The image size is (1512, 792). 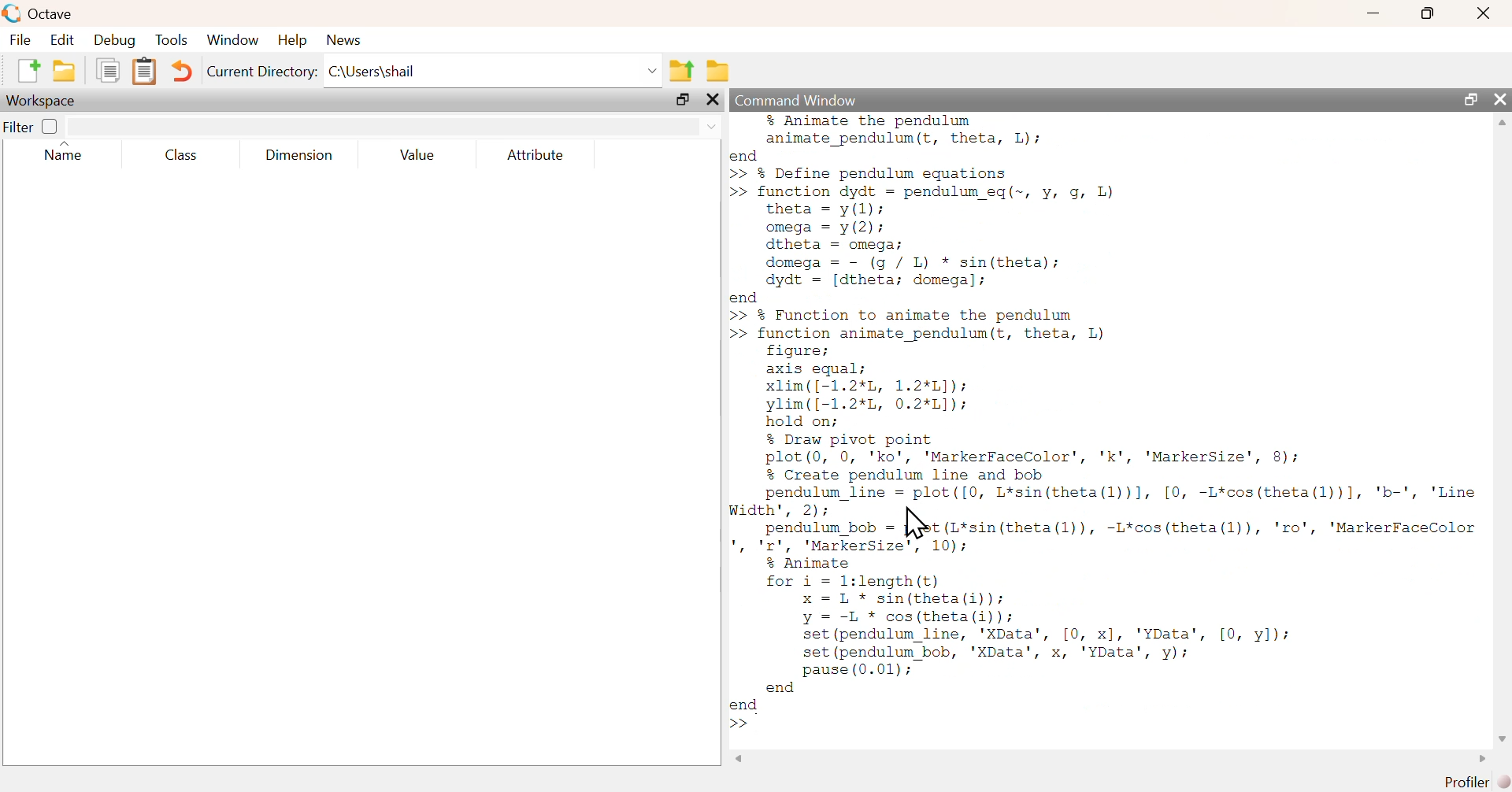 I want to click on Dimension, so click(x=299, y=156).